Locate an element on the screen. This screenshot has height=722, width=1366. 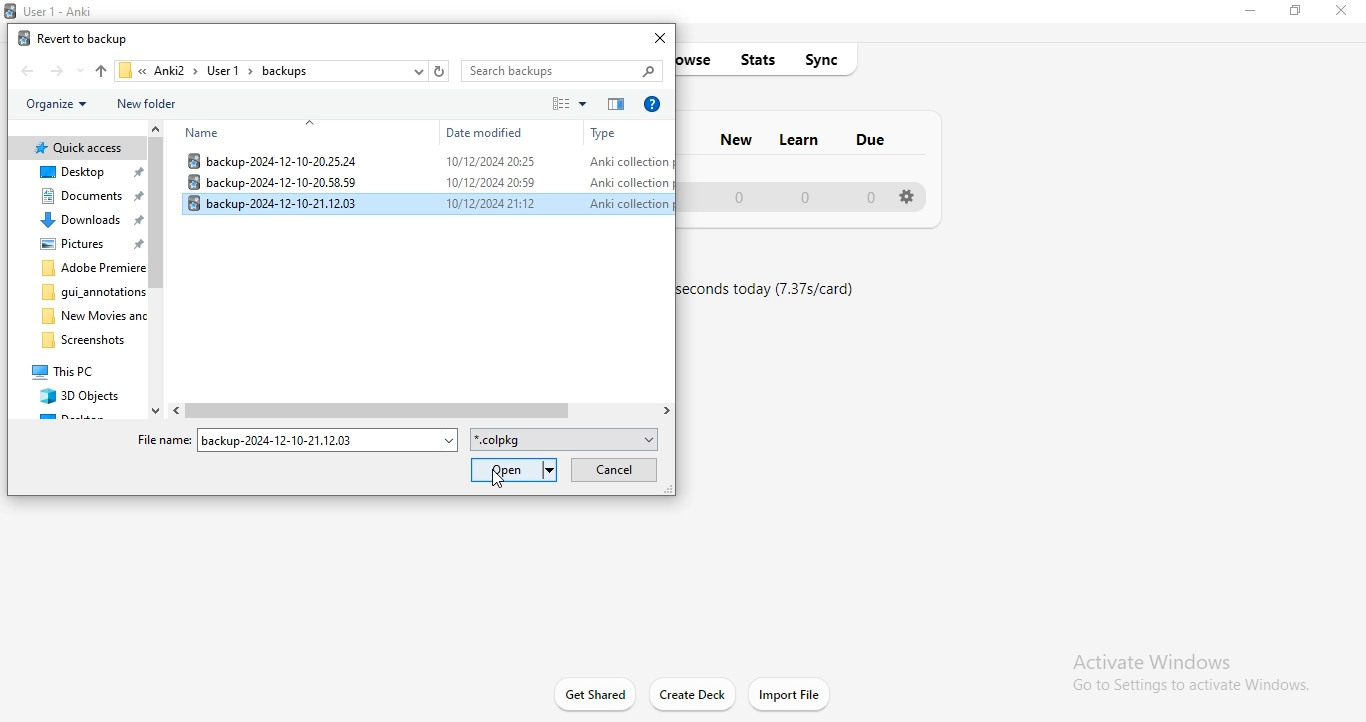
import file is located at coordinates (790, 694).